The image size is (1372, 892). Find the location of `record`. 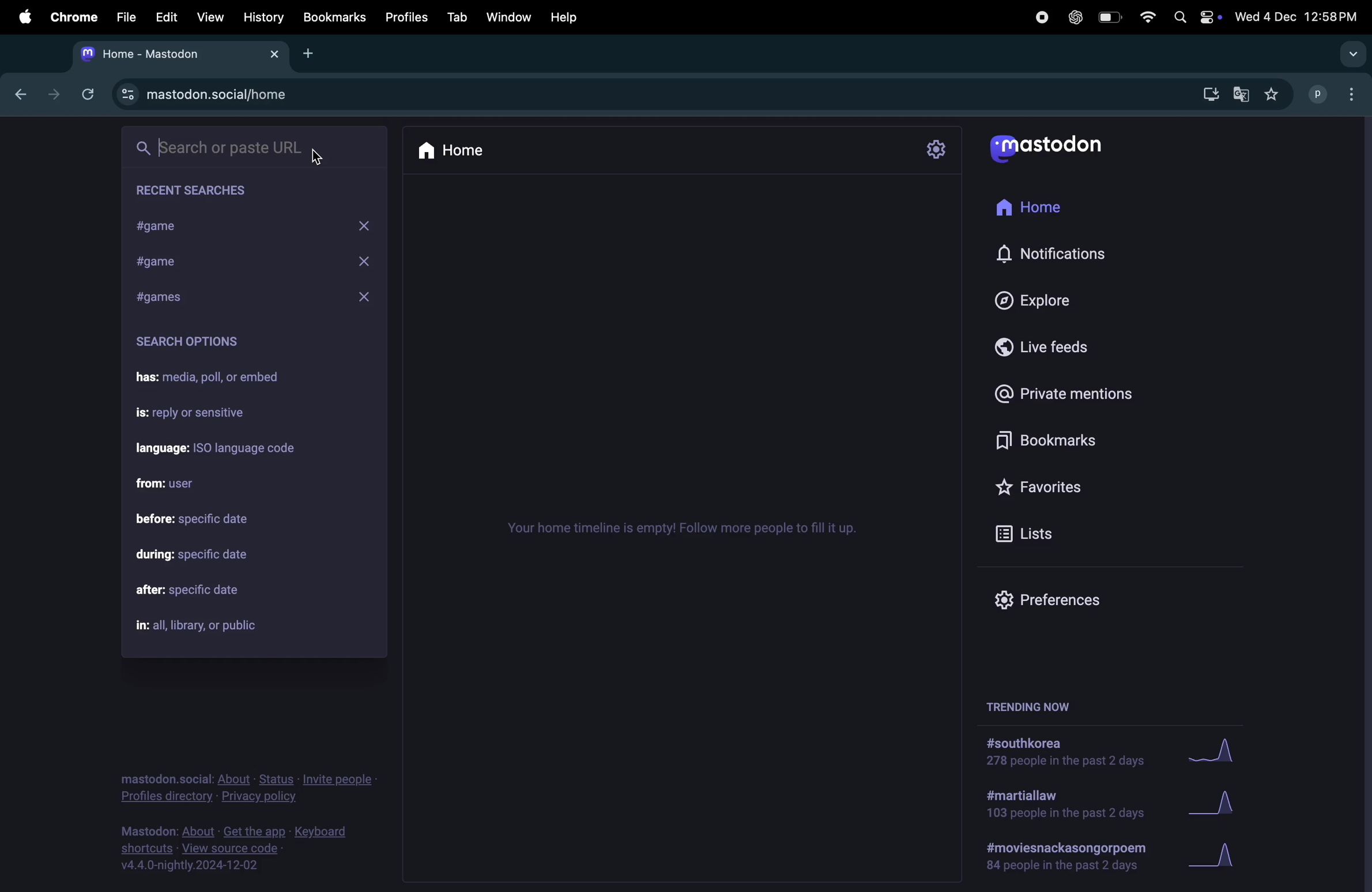

record is located at coordinates (1041, 17).